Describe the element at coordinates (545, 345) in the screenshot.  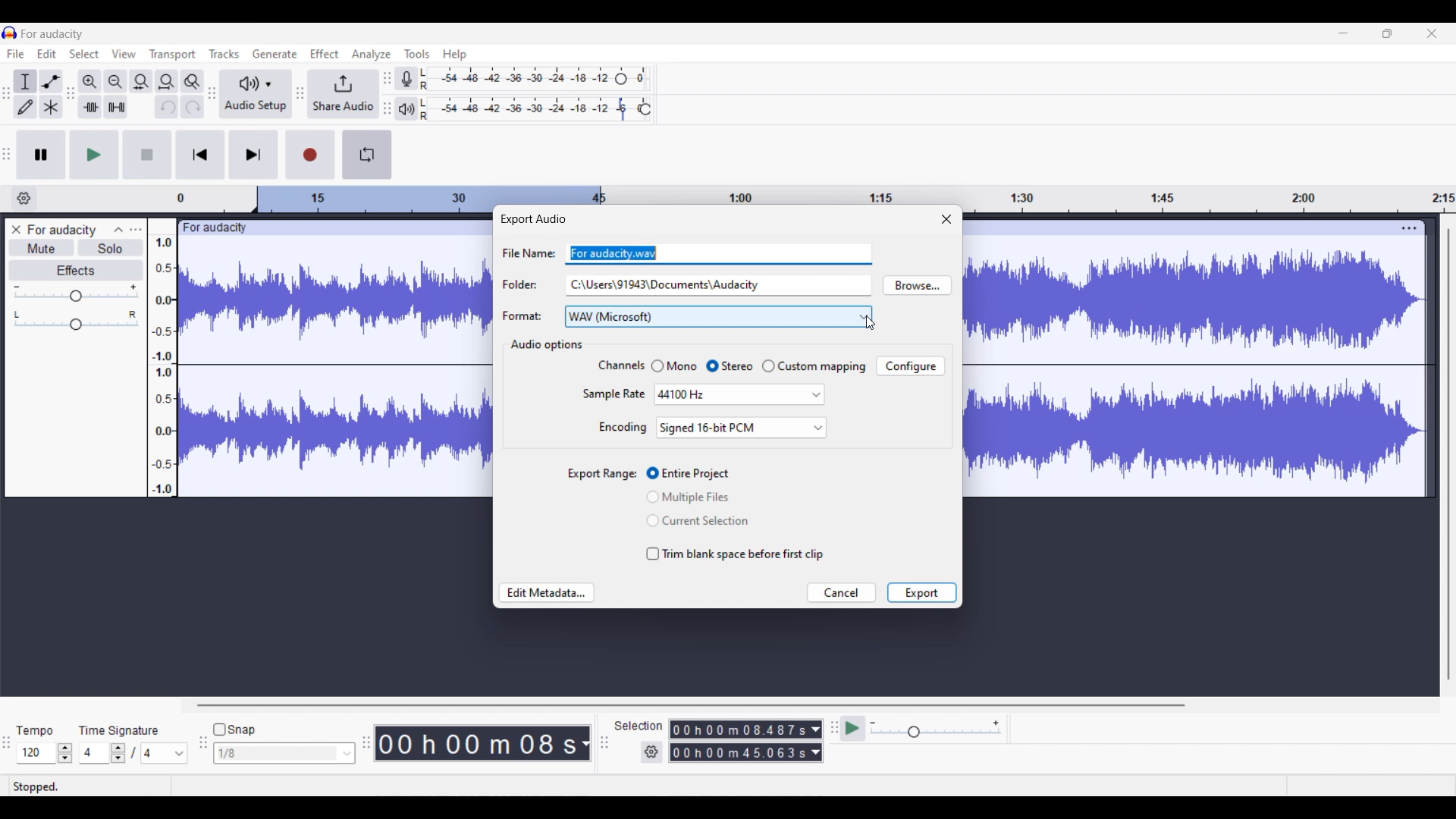
I see `Section title` at that location.